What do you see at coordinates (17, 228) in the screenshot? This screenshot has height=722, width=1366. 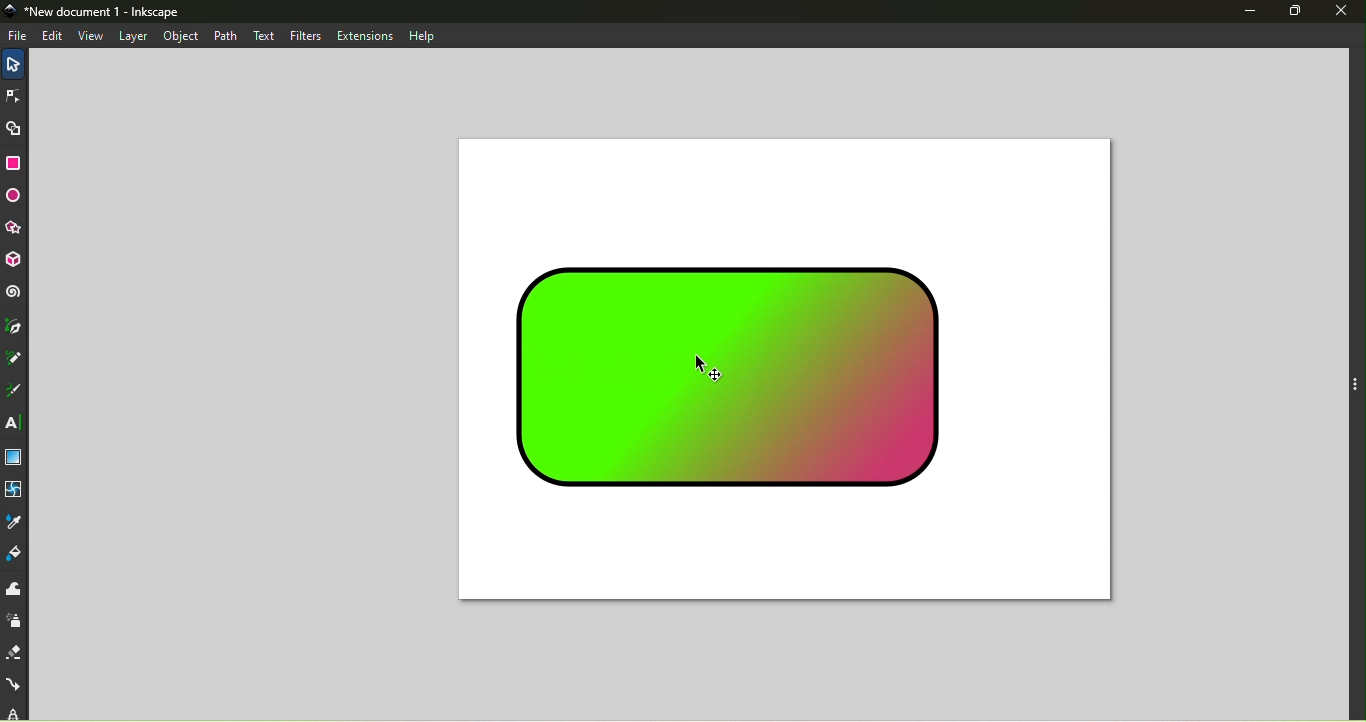 I see `Star/polygon tool` at bounding box center [17, 228].